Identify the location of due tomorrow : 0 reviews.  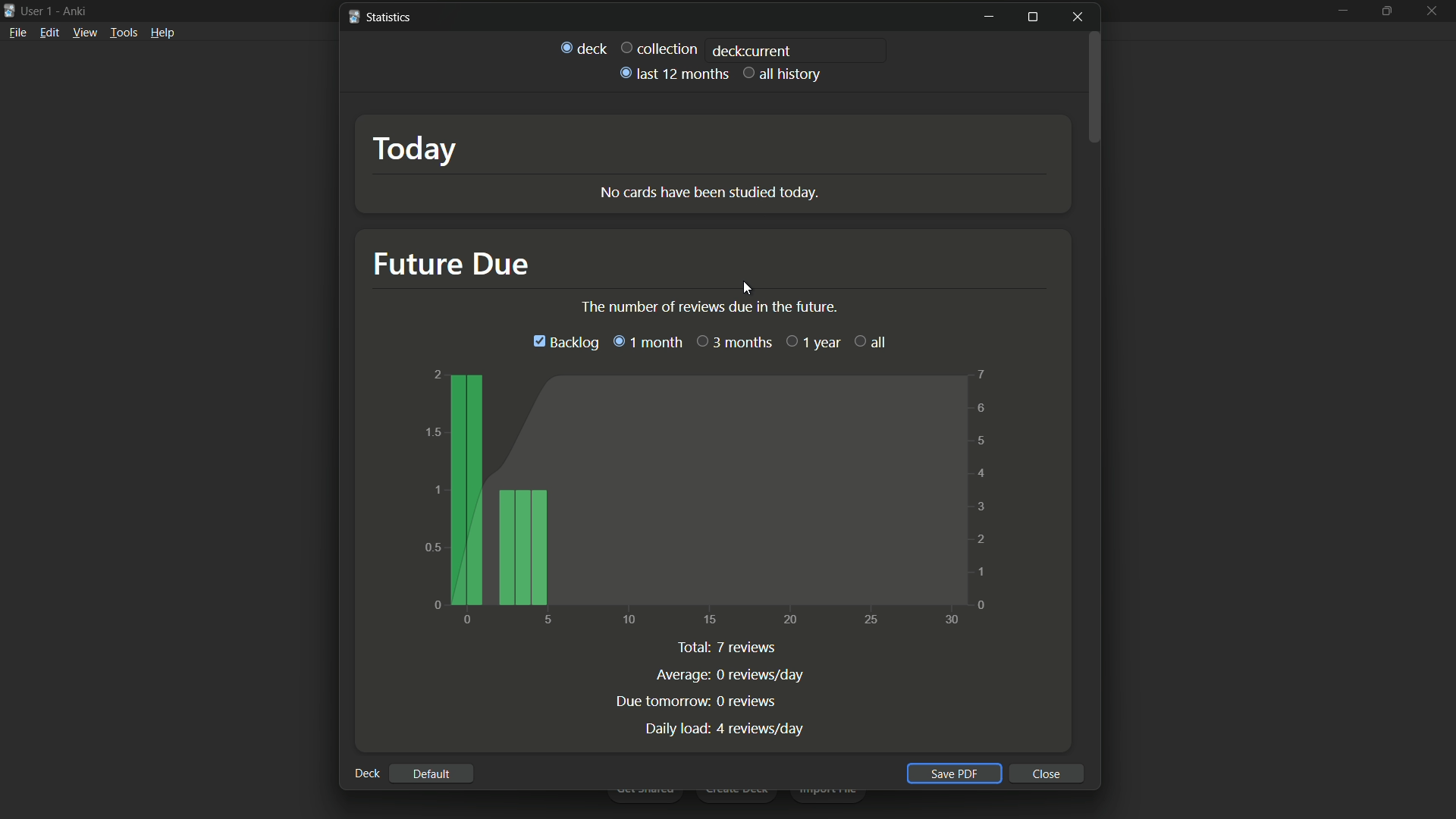
(695, 702).